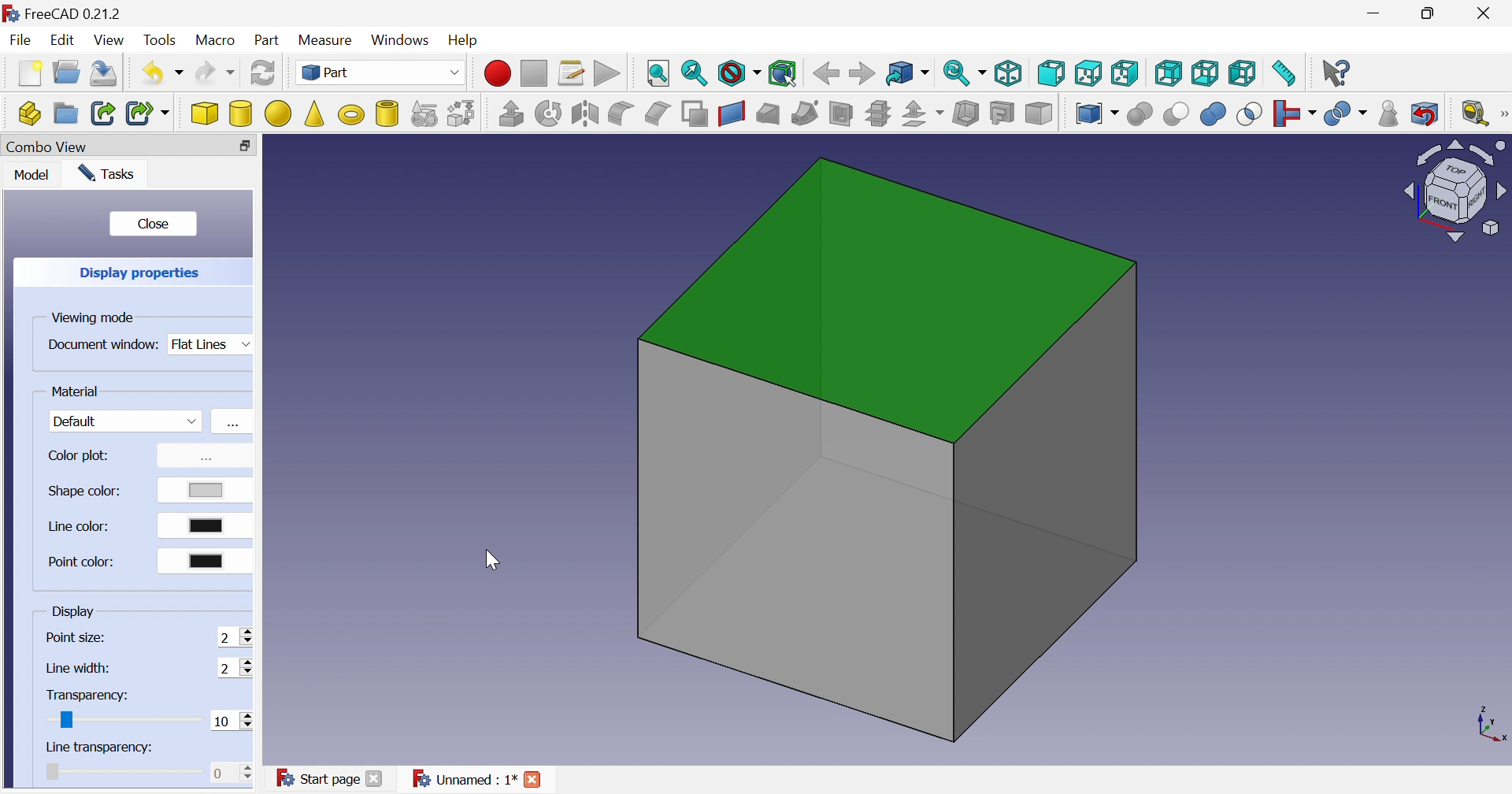  I want to click on Save, so click(108, 73).